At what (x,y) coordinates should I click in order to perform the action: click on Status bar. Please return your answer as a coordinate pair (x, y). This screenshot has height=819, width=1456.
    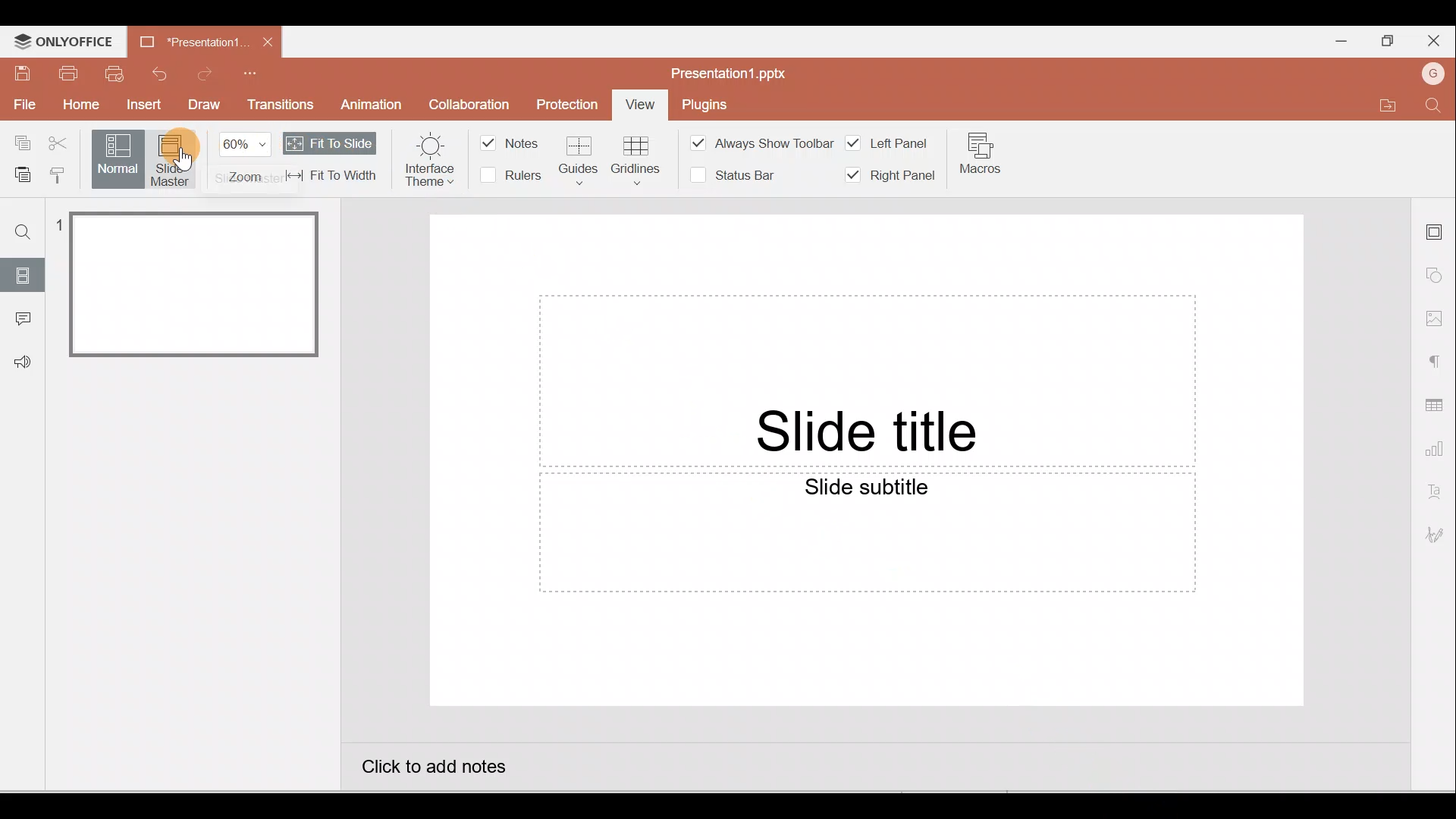
    Looking at the image, I should click on (733, 175).